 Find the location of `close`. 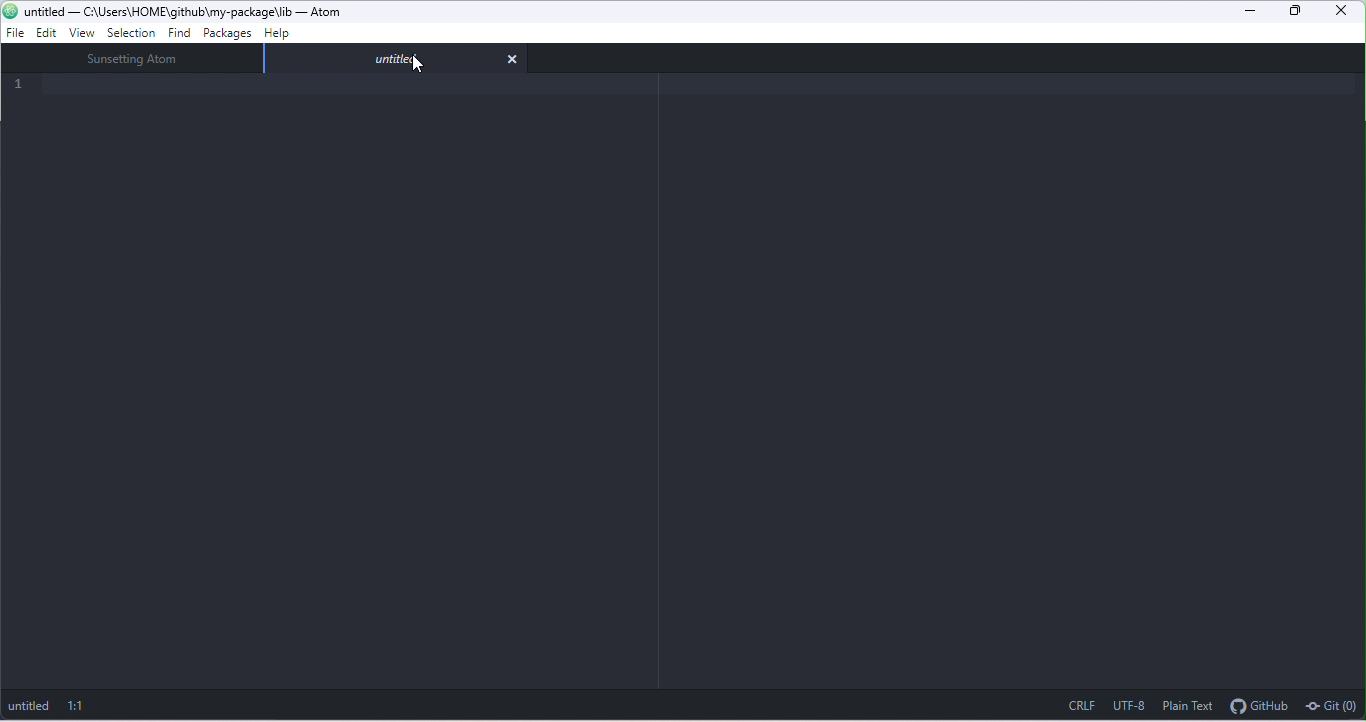

close is located at coordinates (1341, 16).